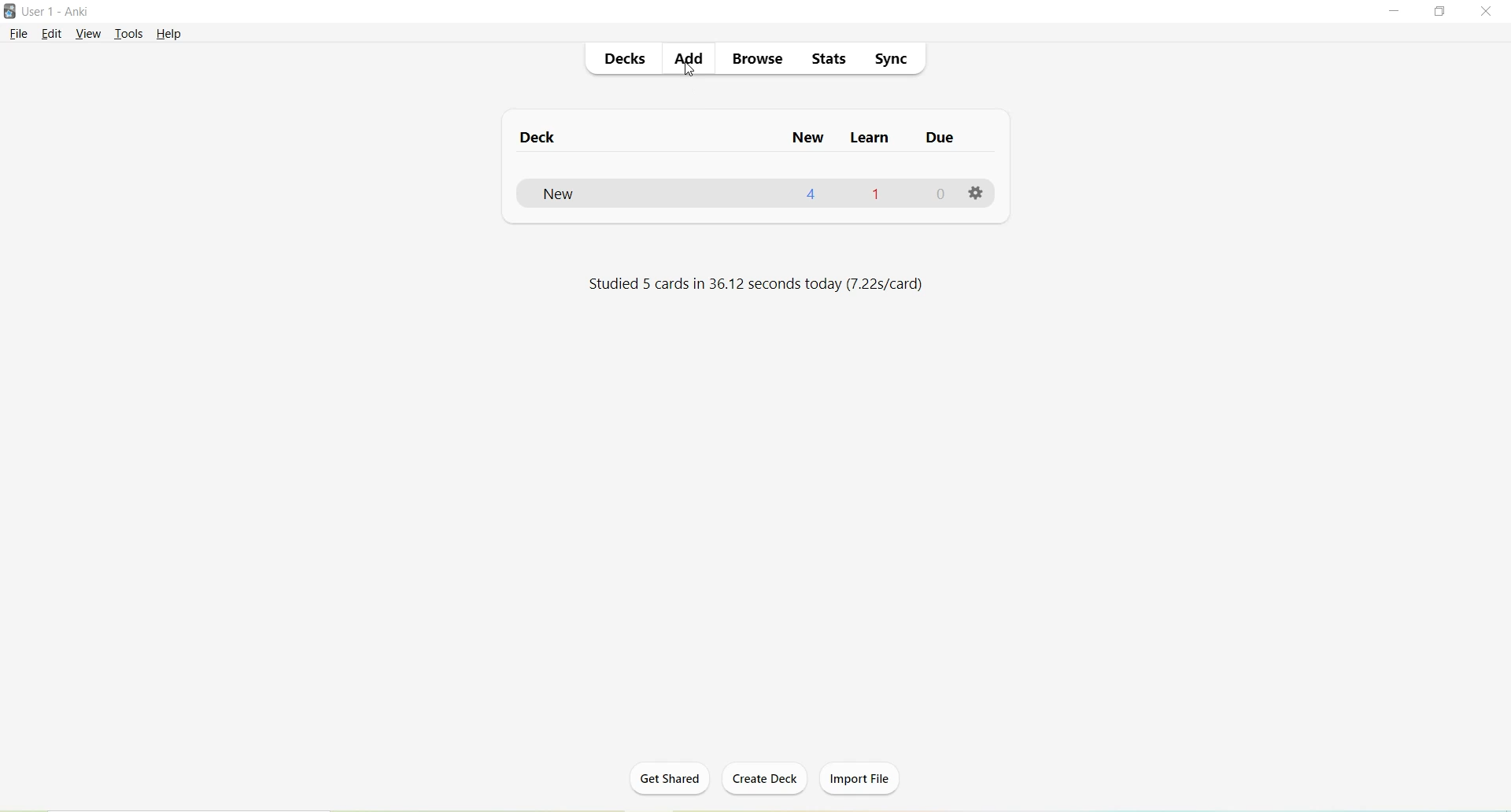 This screenshot has width=1511, height=812. What do you see at coordinates (940, 139) in the screenshot?
I see `Due` at bounding box center [940, 139].